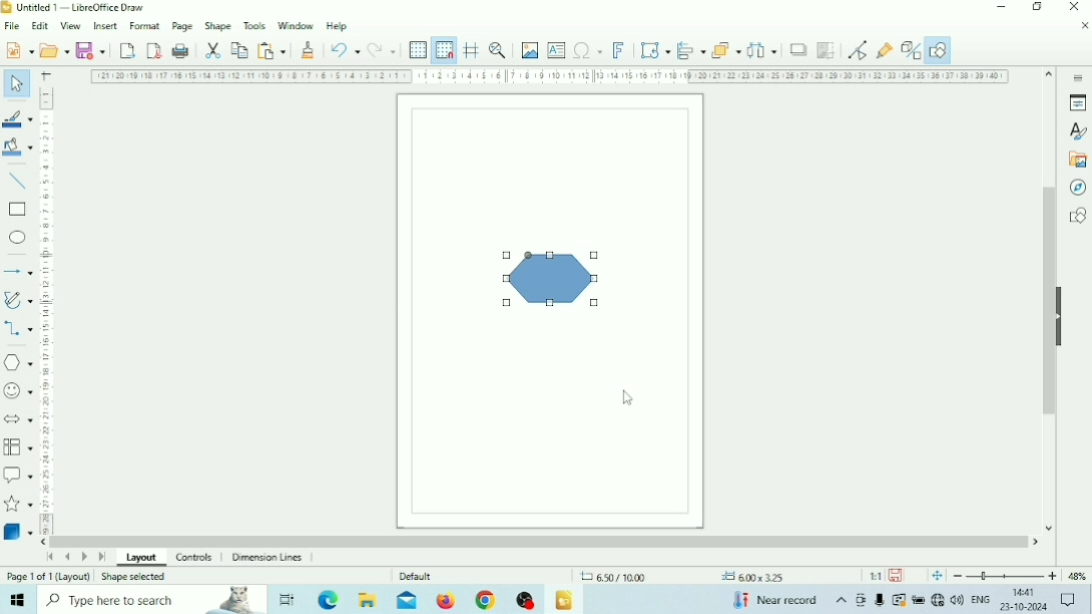  What do you see at coordinates (18, 531) in the screenshot?
I see `3D Objects` at bounding box center [18, 531].